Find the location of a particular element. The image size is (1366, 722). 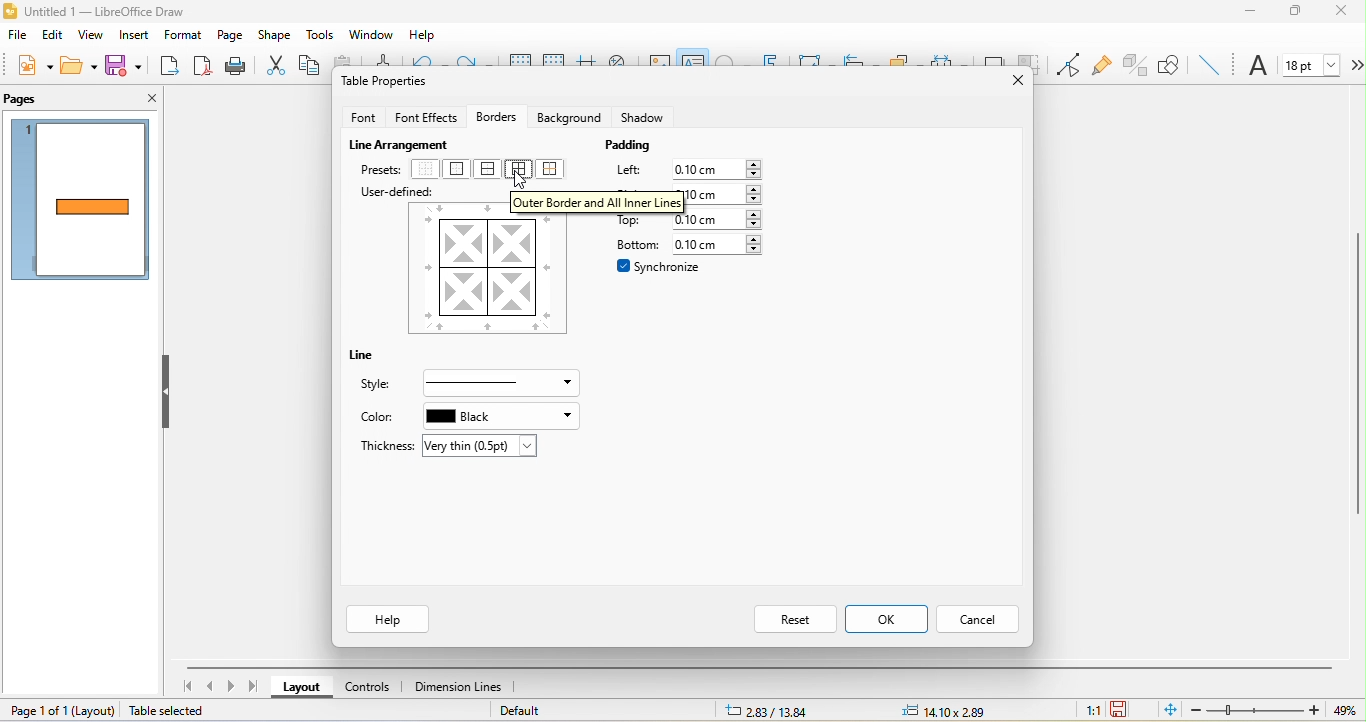

left is located at coordinates (627, 172).